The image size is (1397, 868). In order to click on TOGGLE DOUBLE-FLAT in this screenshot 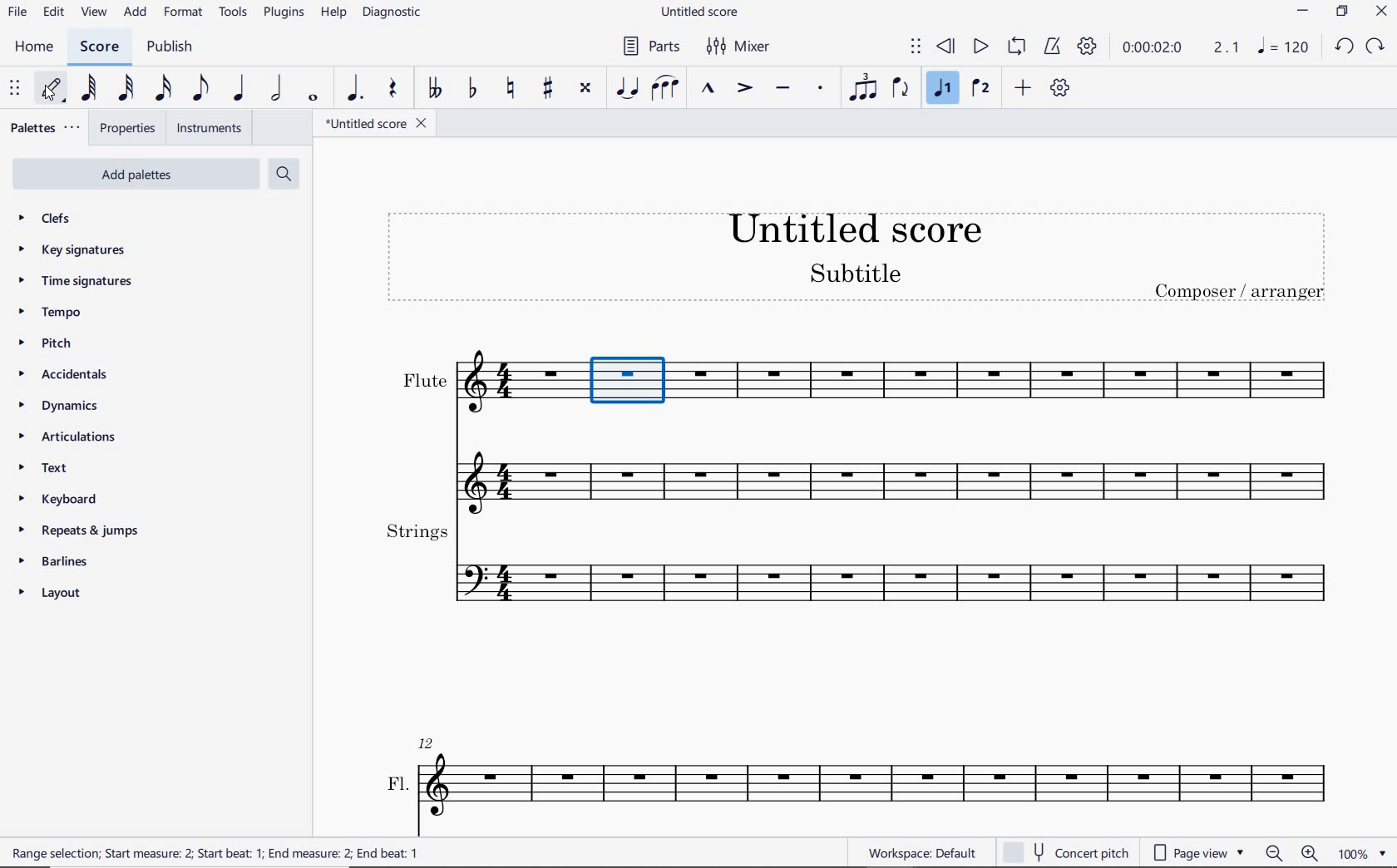, I will do `click(436, 89)`.